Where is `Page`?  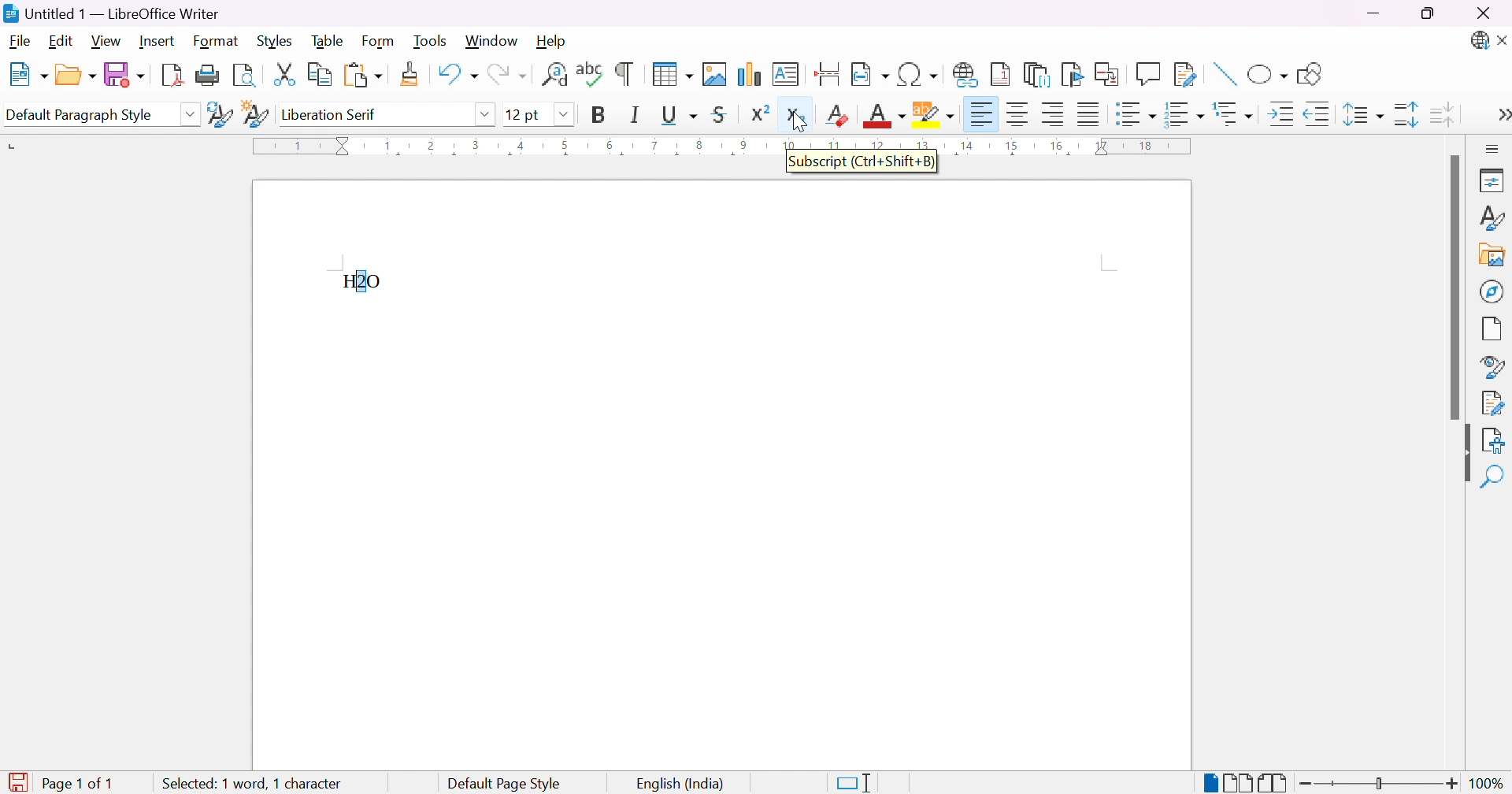
Page is located at coordinates (1493, 331).